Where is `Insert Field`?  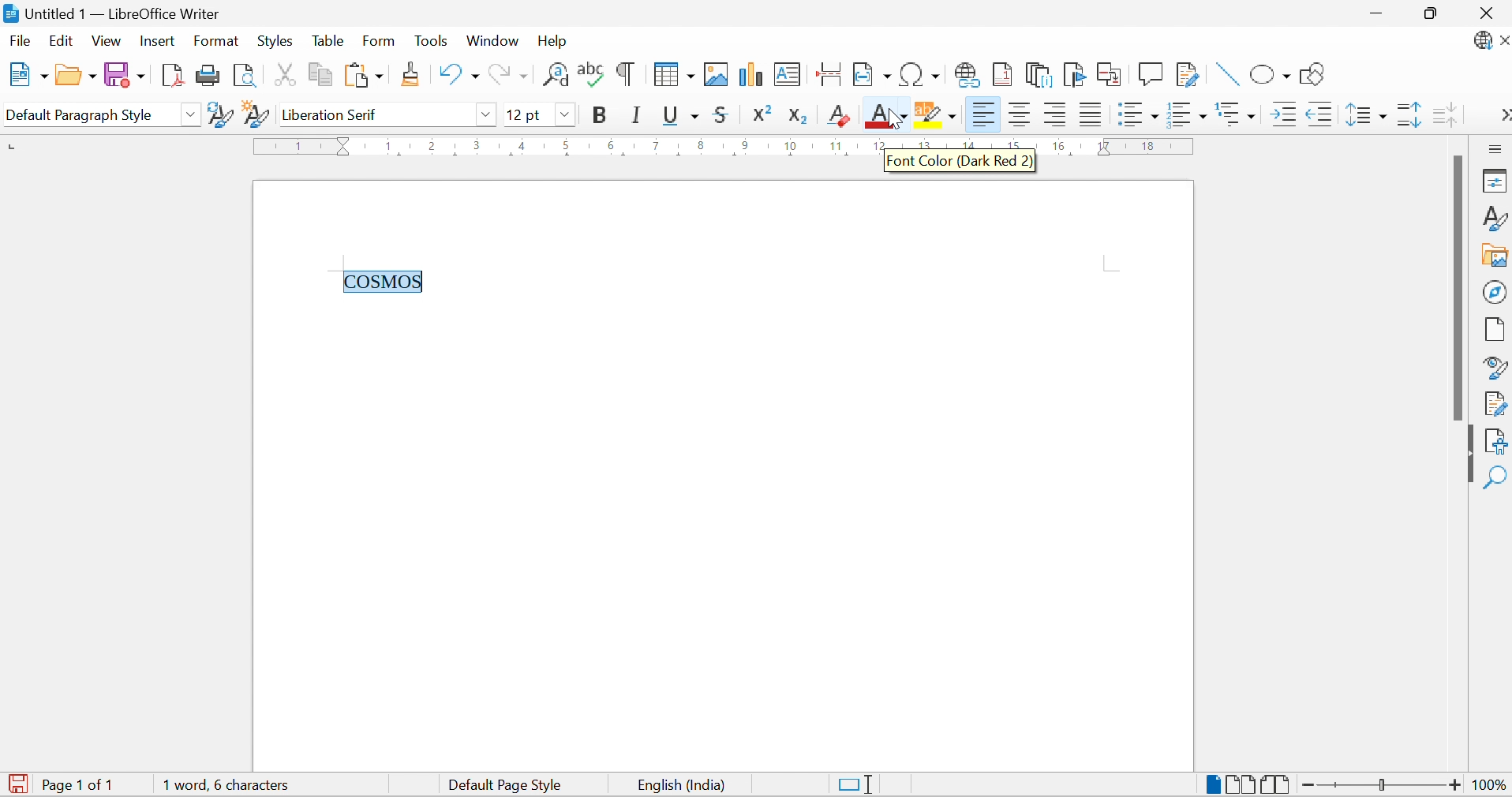 Insert Field is located at coordinates (871, 73).